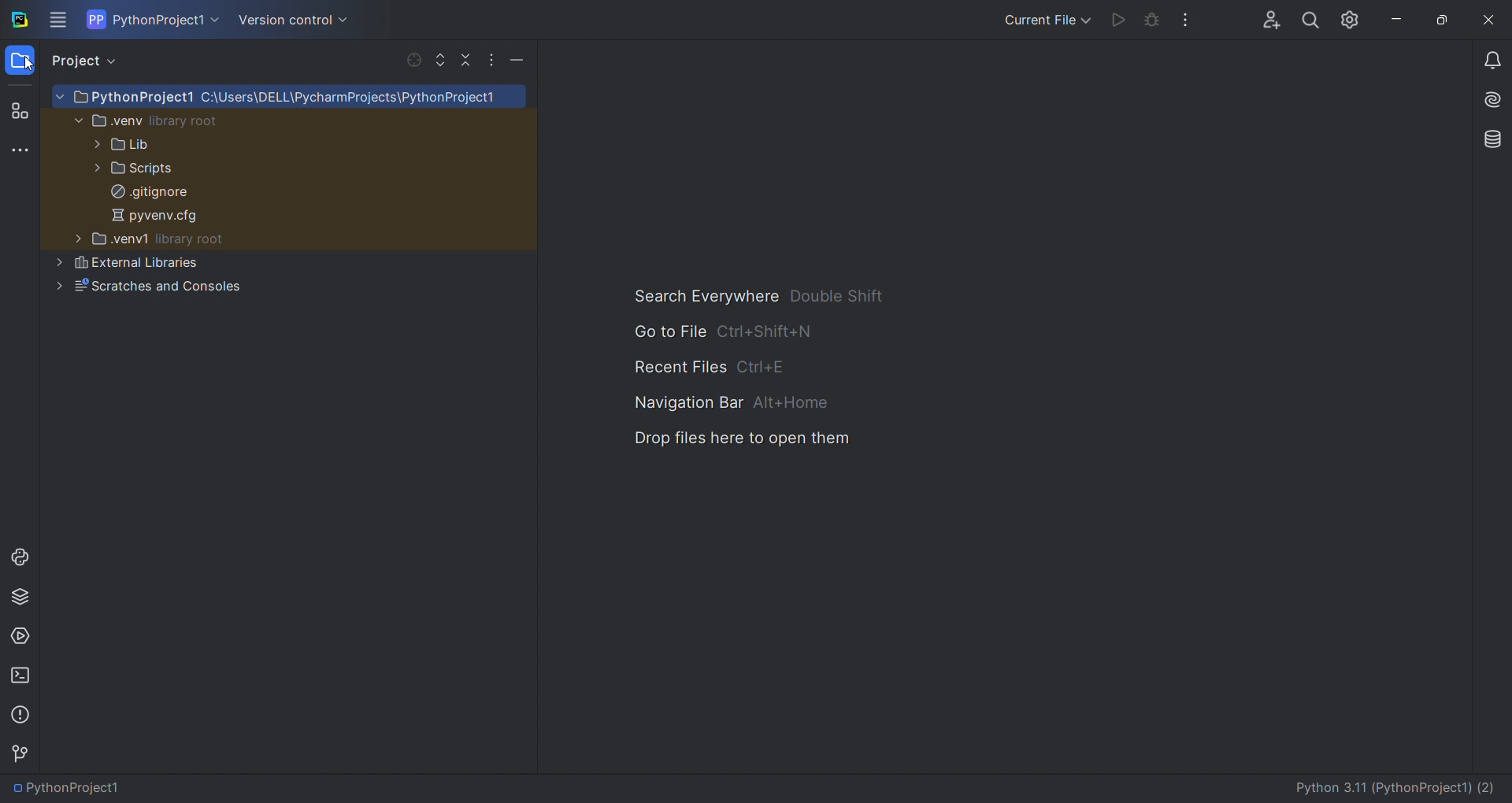 The height and width of the screenshot is (803, 1512). What do you see at coordinates (20, 598) in the screenshot?
I see `python packages` at bounding box center [20, 598].